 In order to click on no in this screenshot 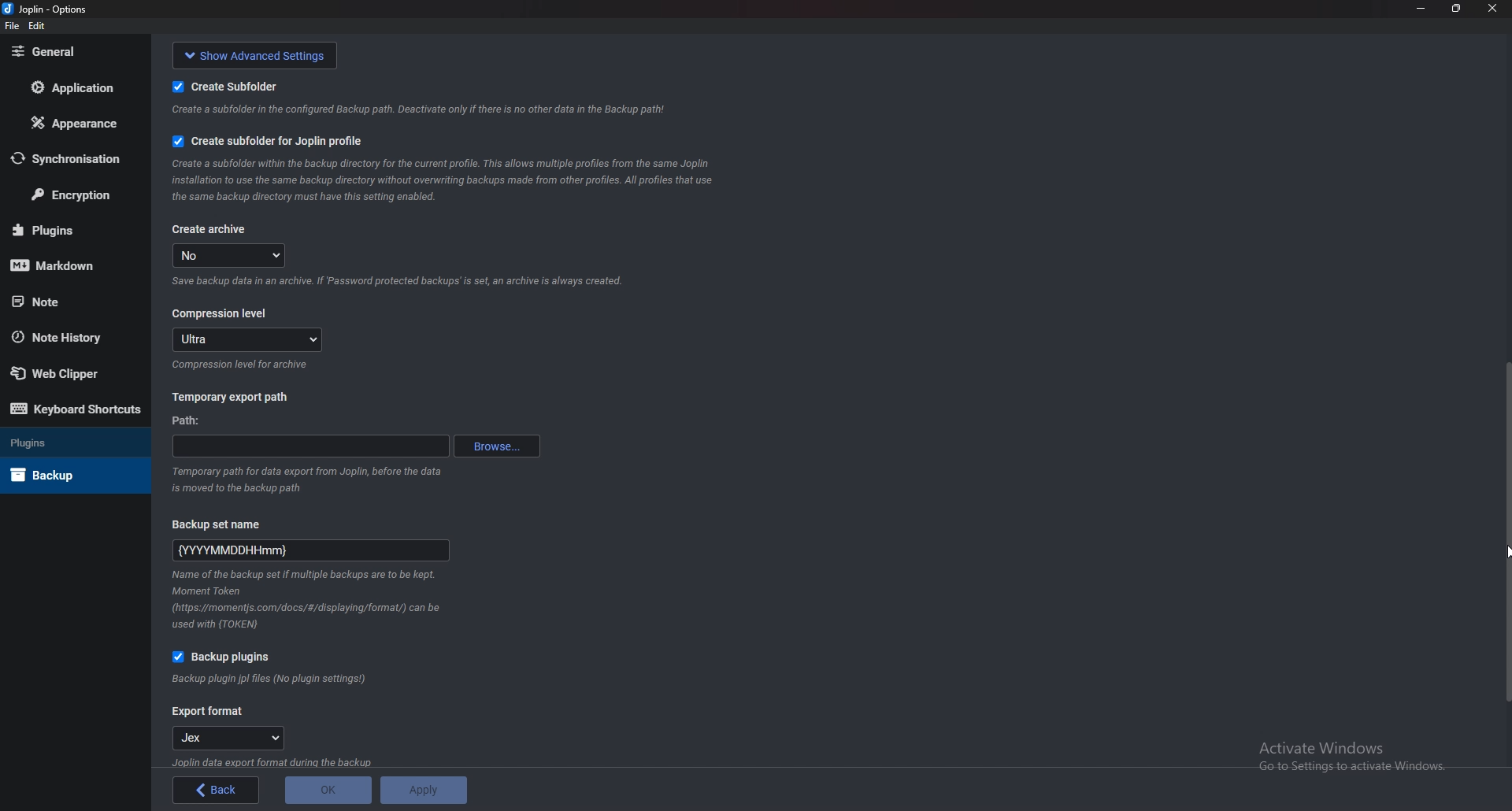, I will do `click(234, 254)`.